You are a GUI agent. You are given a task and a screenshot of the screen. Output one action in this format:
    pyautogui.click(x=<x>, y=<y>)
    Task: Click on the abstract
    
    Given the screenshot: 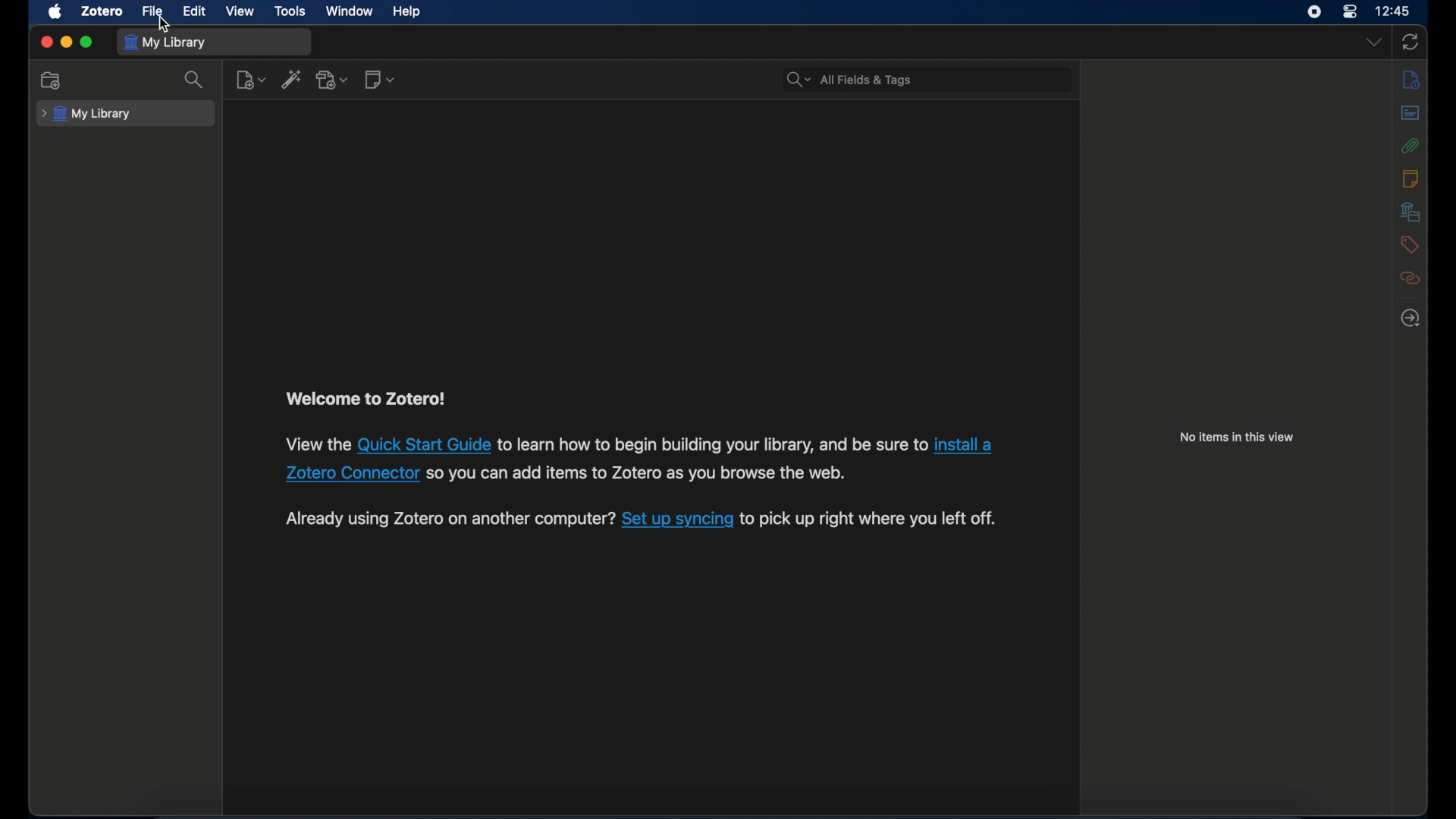 What is the action you would take?
    pyautogui.click(x=1411, y=112)
    